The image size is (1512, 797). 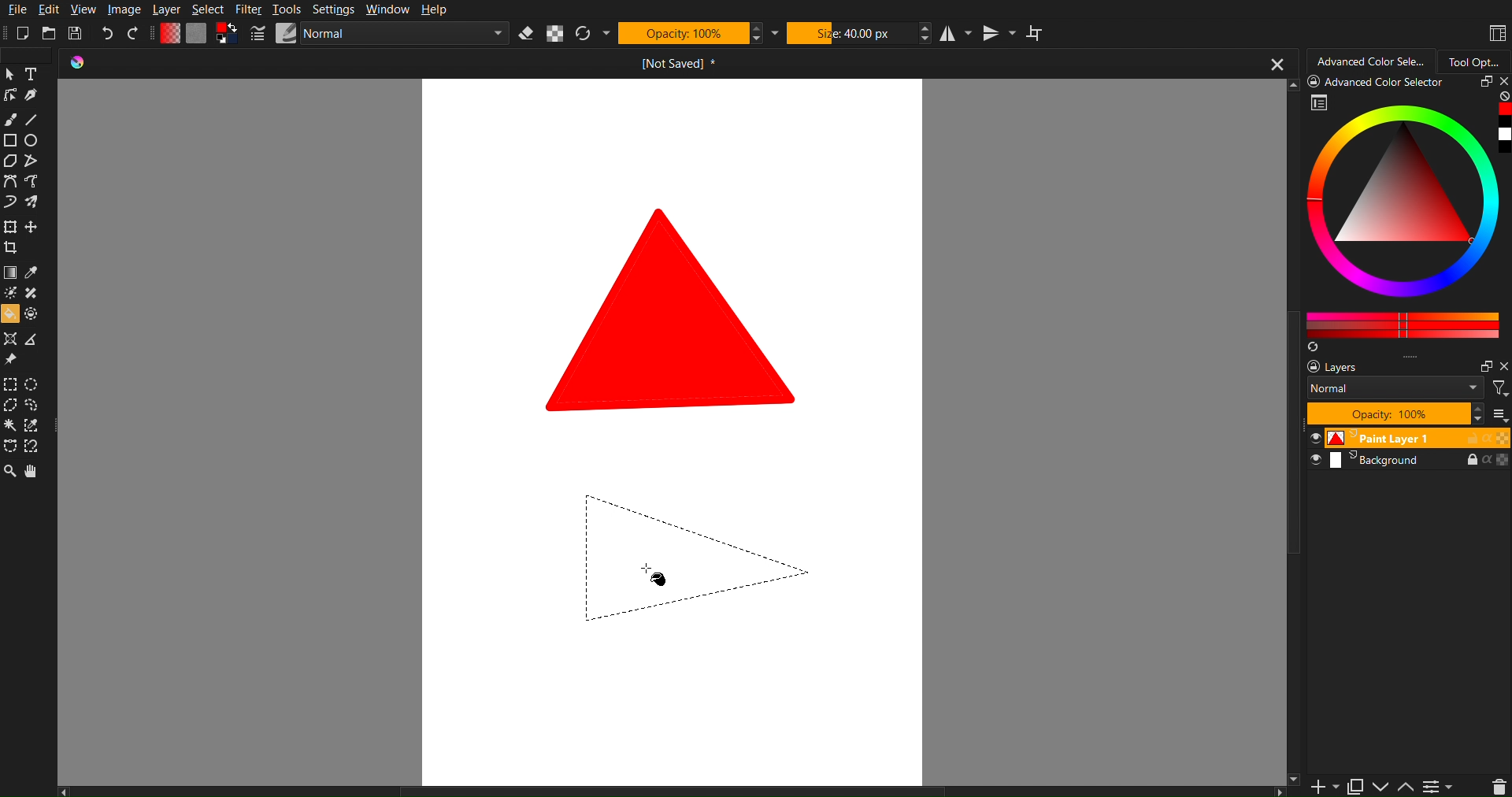 What do you see at coordinates (36, 120) in the screenshot?
I see `Line` at bounding box center [36, 120].